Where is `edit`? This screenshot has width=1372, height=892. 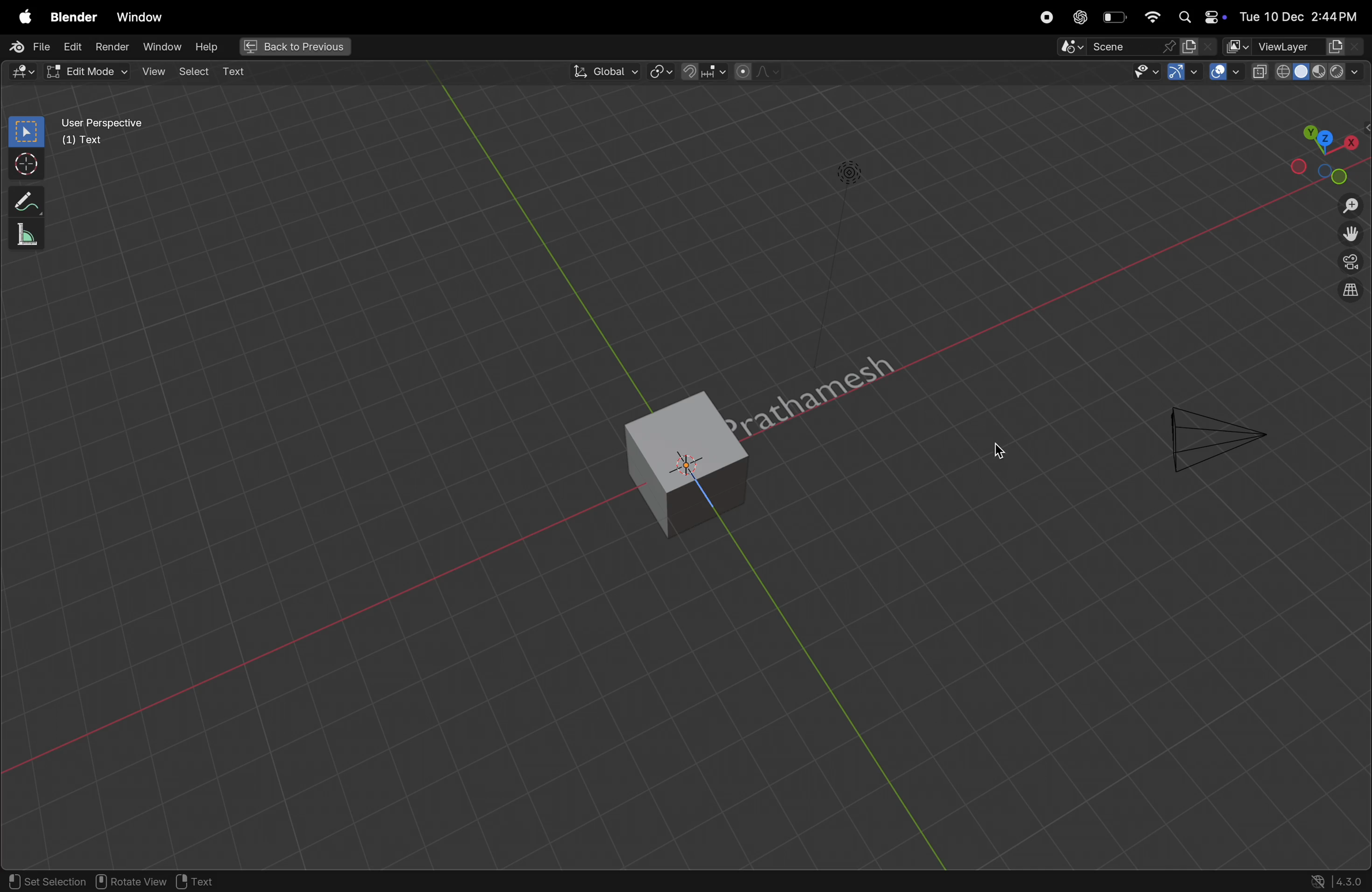
edit is located at coordinates (74, 48).